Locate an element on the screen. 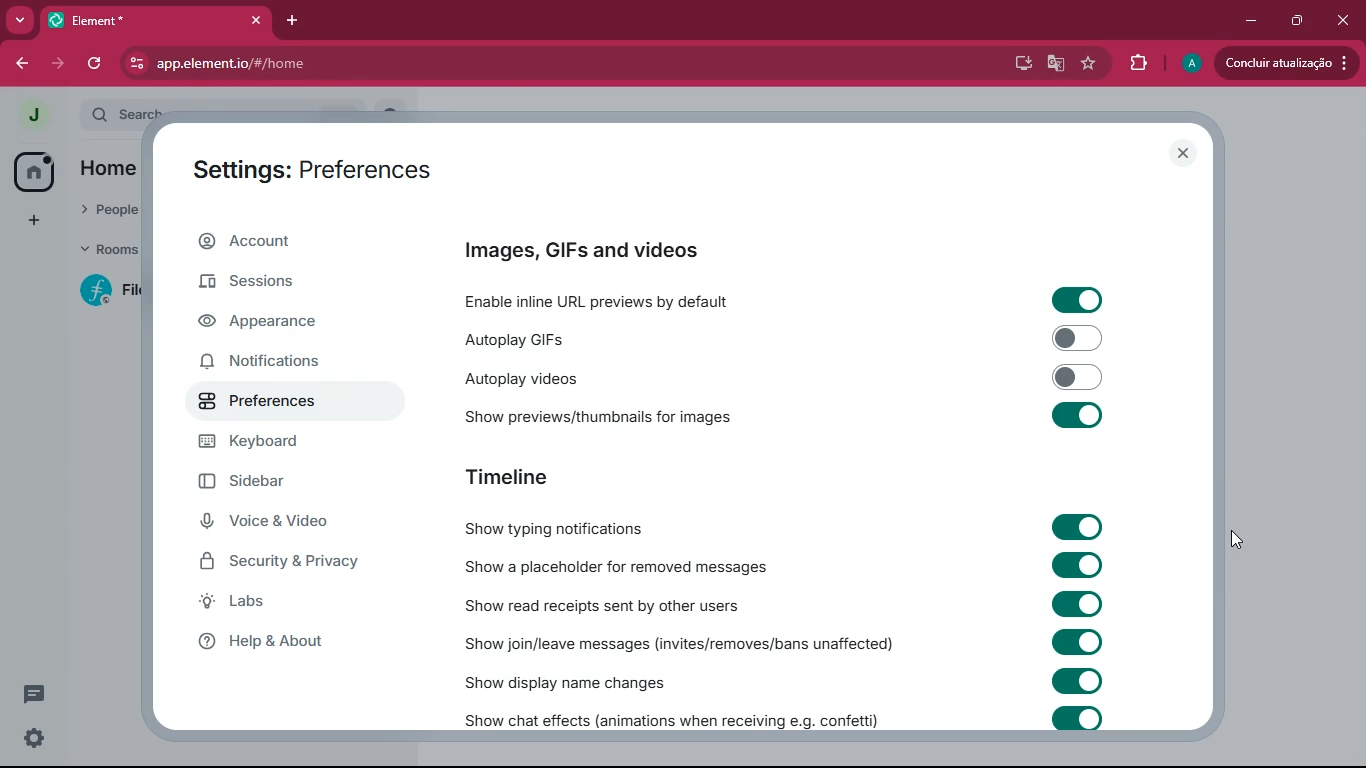 The image size is (1366, 768). extensions is located at coordinates (1134, 64).